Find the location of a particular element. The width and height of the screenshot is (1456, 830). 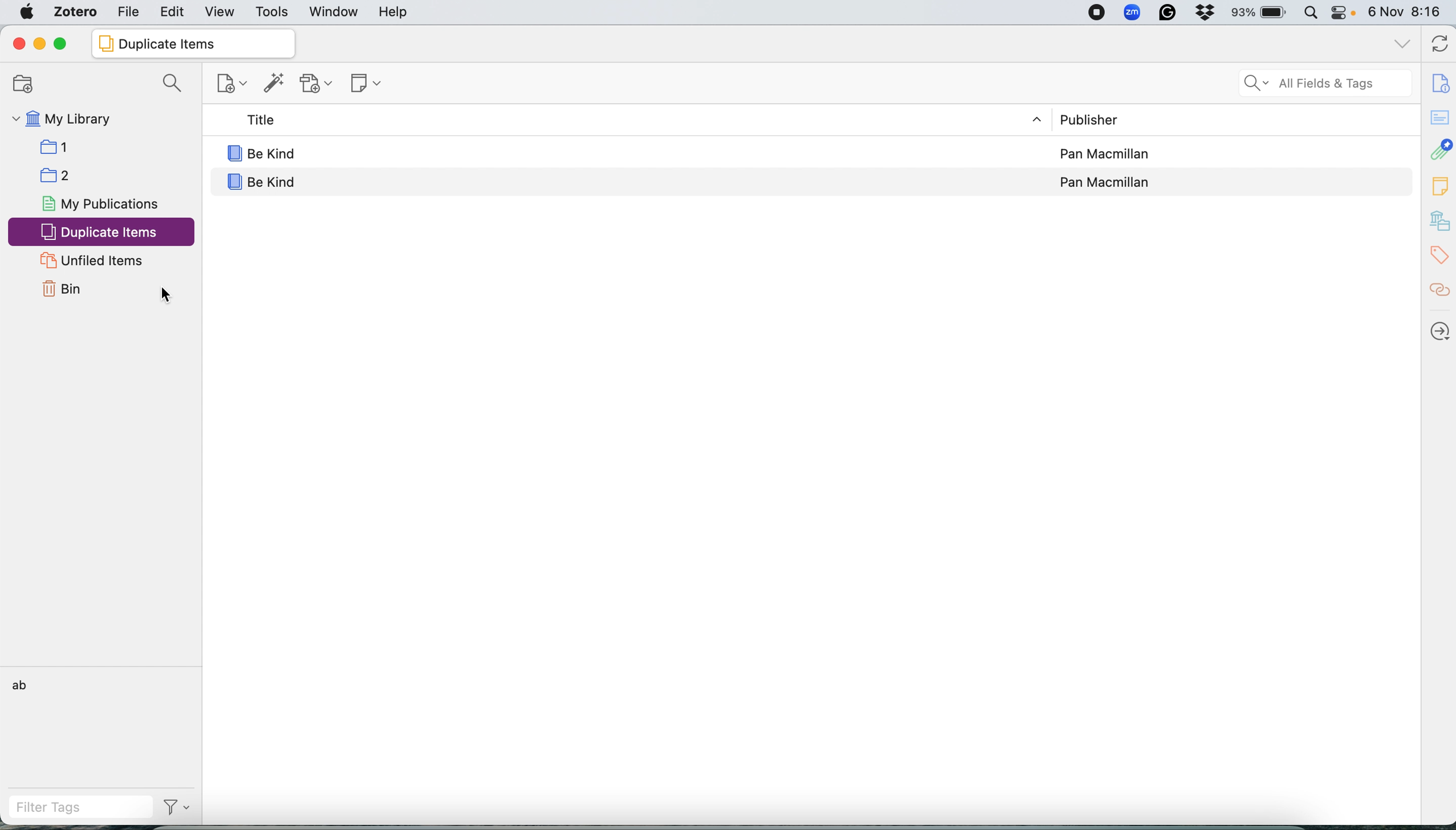

search fields and tags is located at coordinates (1326, 83).